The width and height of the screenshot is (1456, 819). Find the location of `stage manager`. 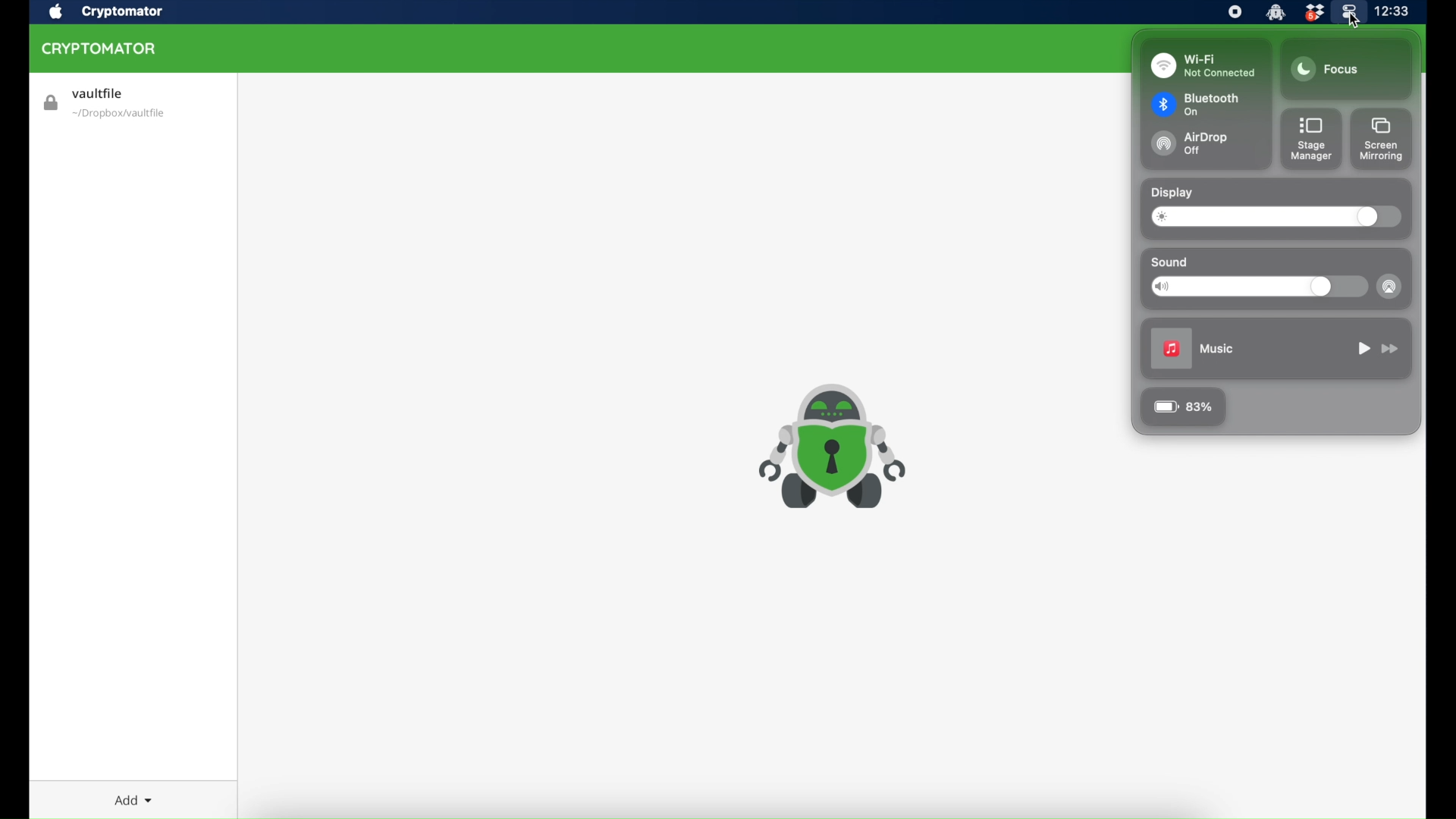

stage manager is located at coordinates (1312, 140).